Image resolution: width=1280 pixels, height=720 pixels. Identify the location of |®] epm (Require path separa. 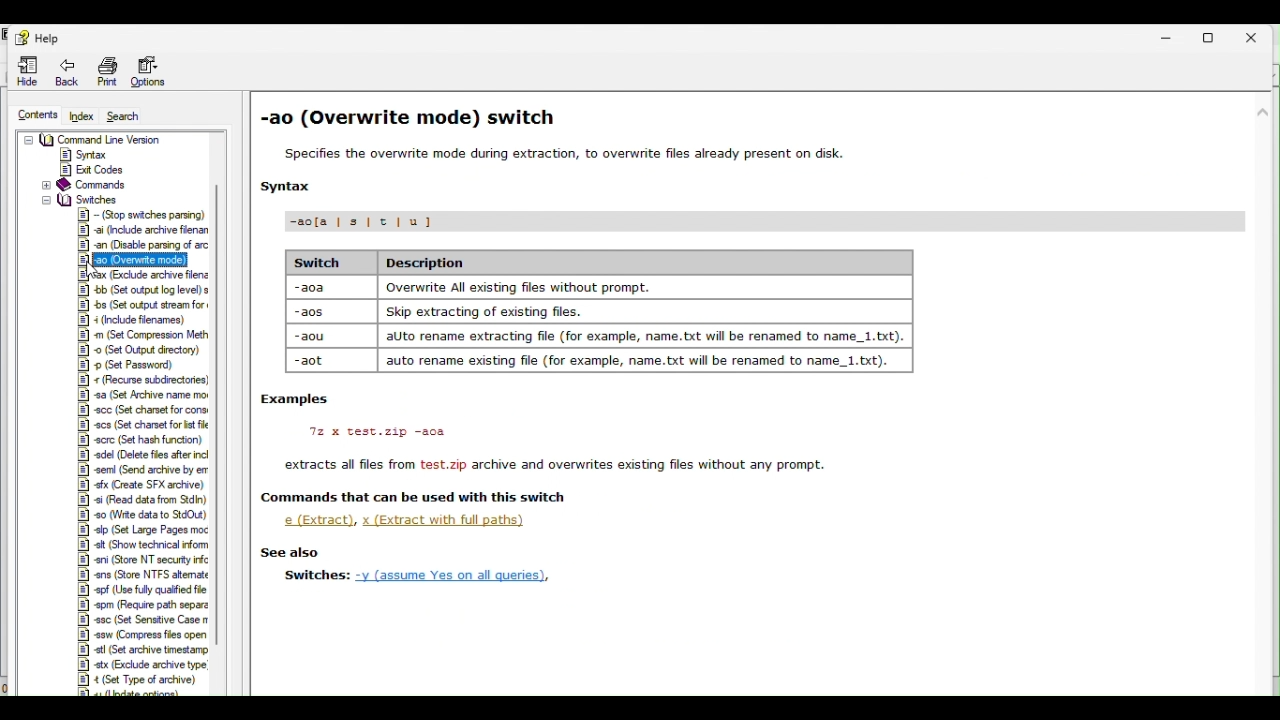
(143, 605).